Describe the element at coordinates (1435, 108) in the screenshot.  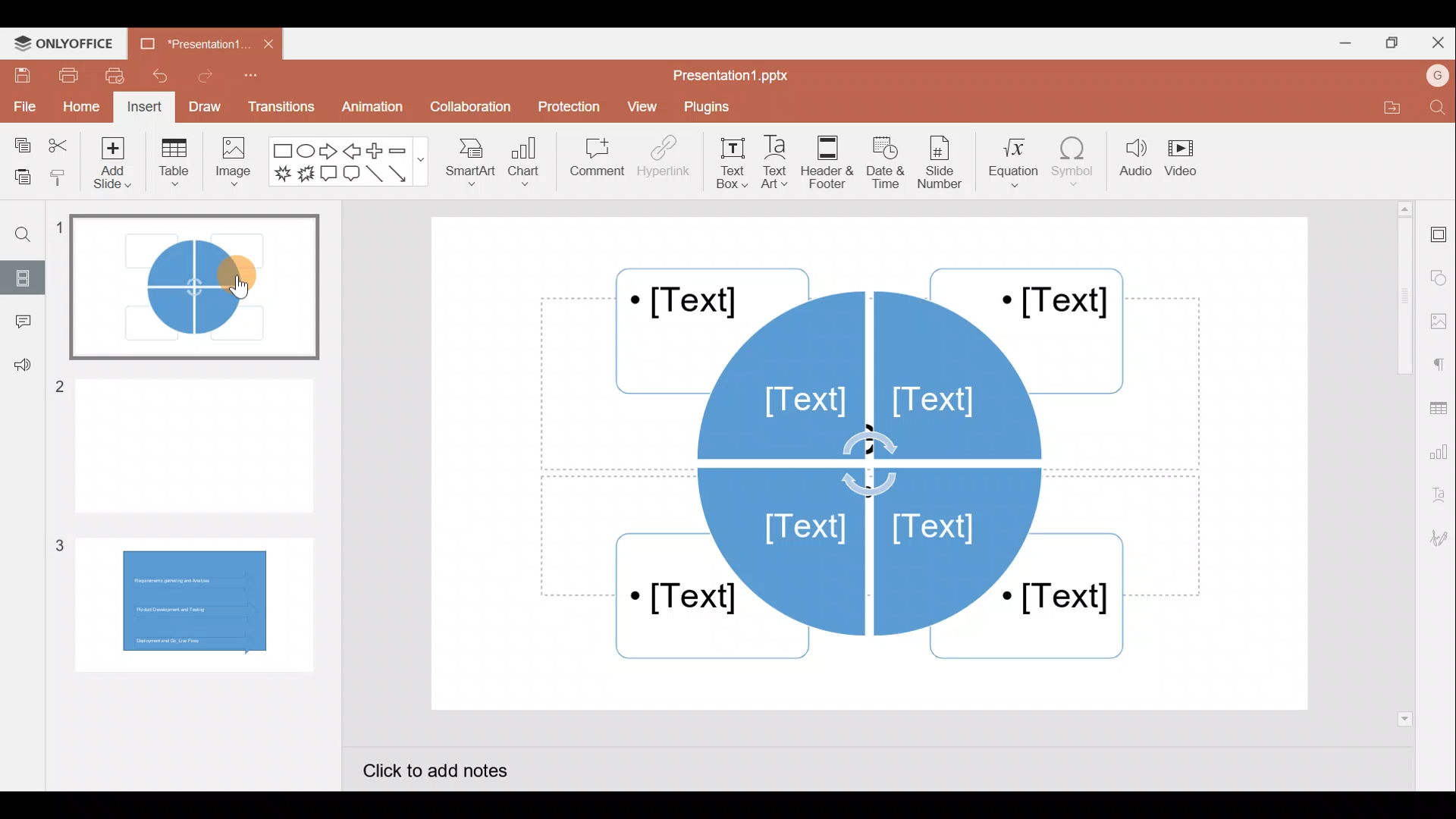
I see `Find` at that location.